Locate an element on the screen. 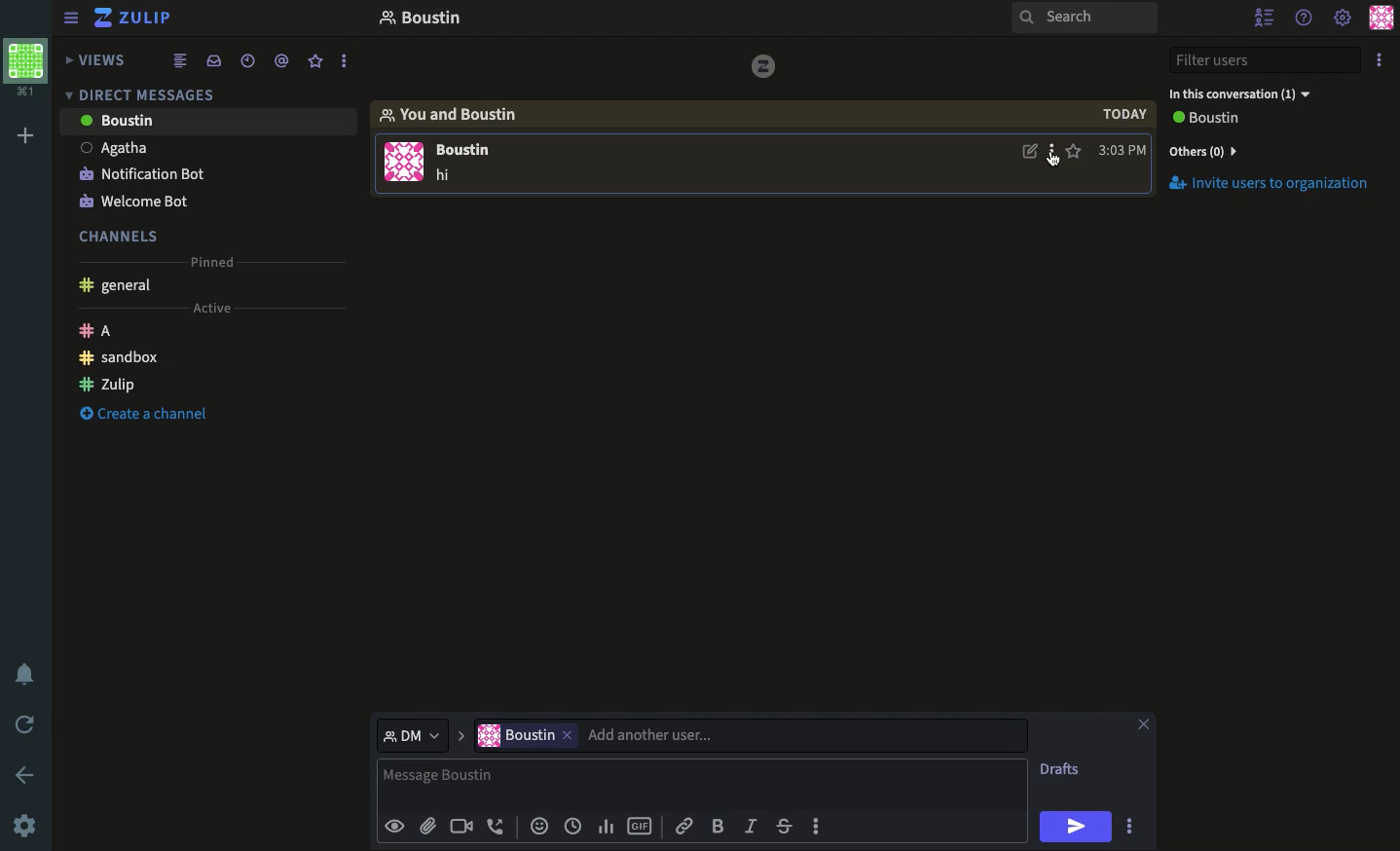 The image size is (1400, 851). User is located at coordinates (208, 120).